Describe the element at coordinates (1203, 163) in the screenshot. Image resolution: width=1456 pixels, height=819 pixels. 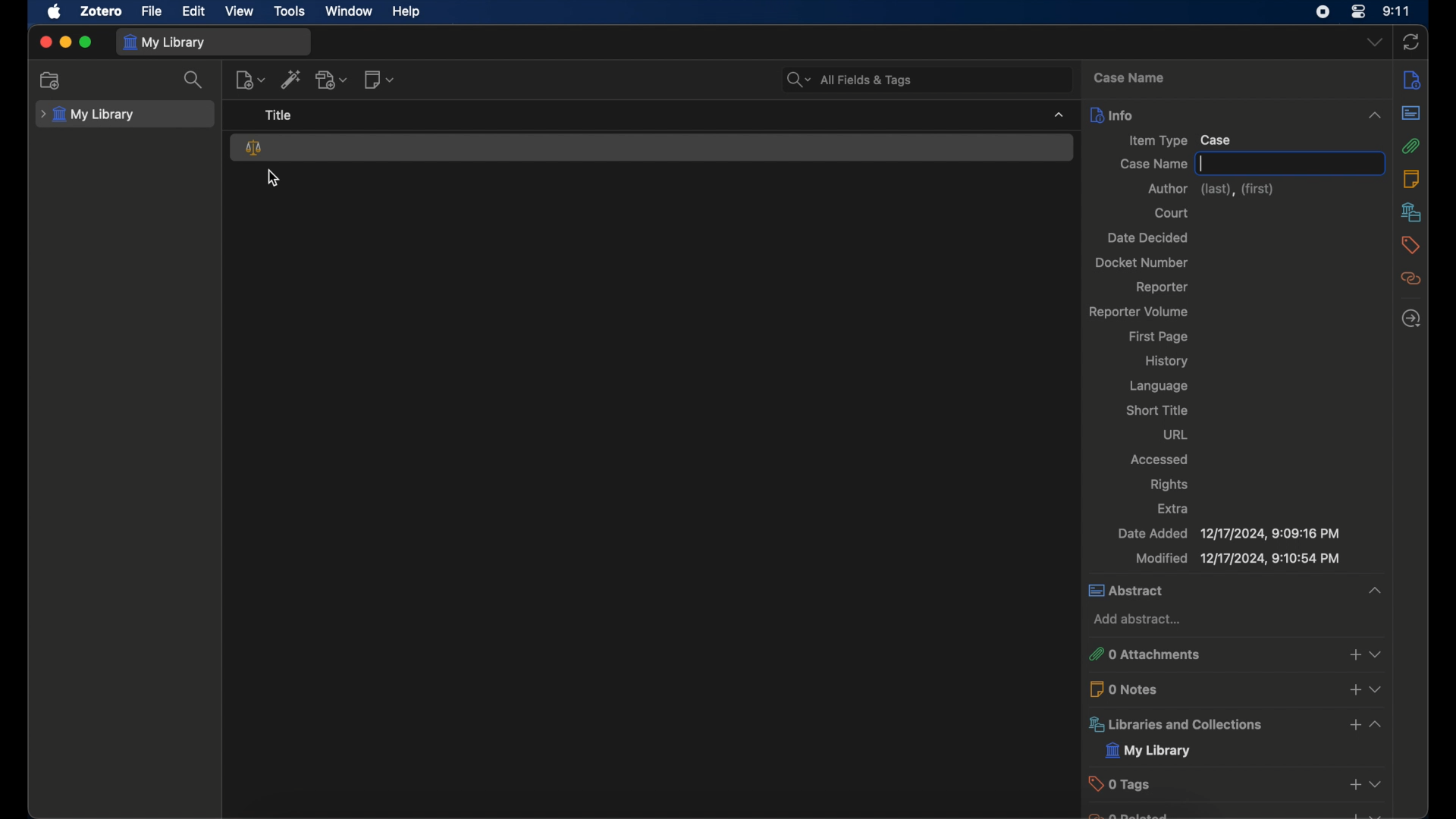
I see `text cursor` at that location.